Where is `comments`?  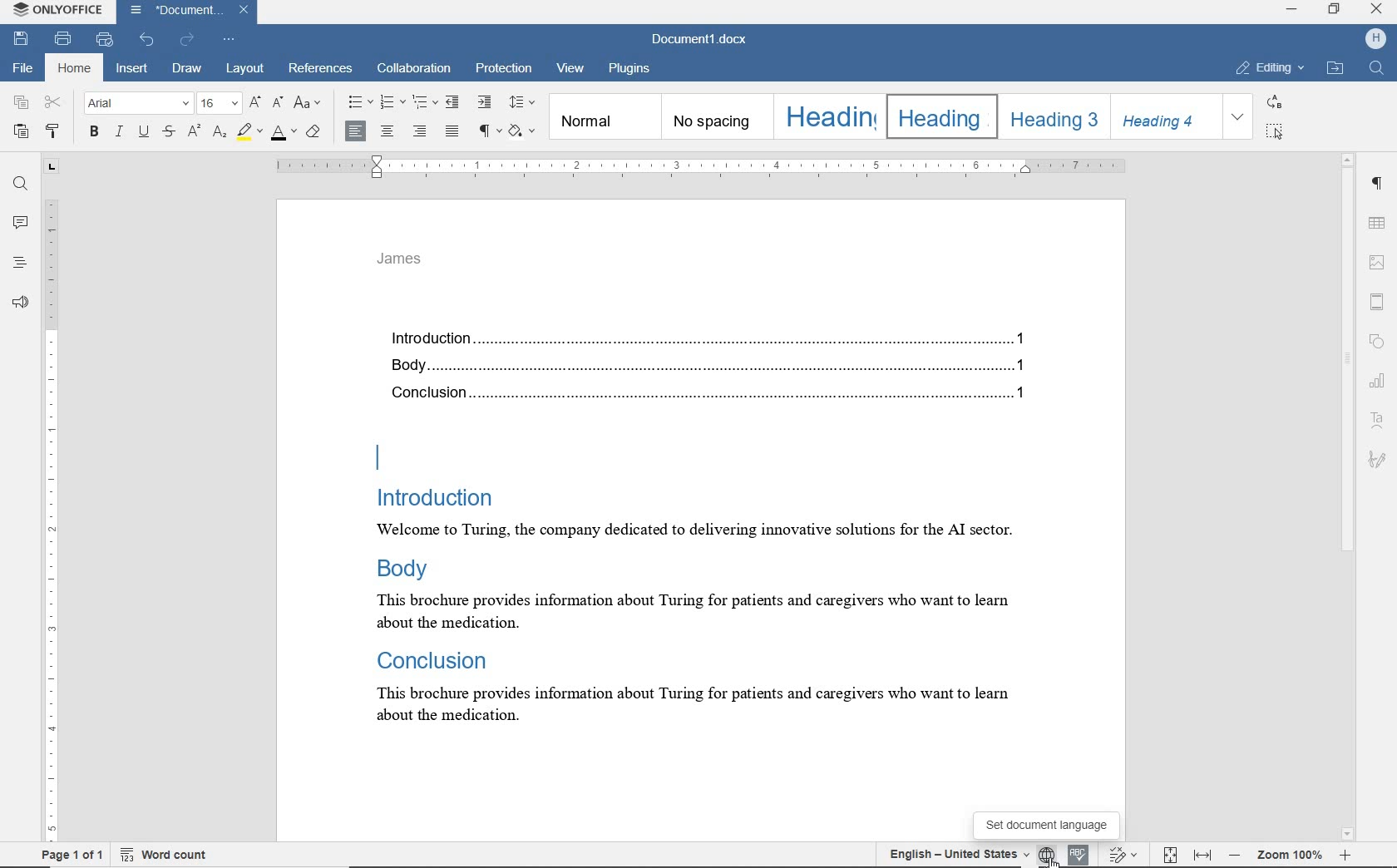 comments is located at coordinates (19, 223).